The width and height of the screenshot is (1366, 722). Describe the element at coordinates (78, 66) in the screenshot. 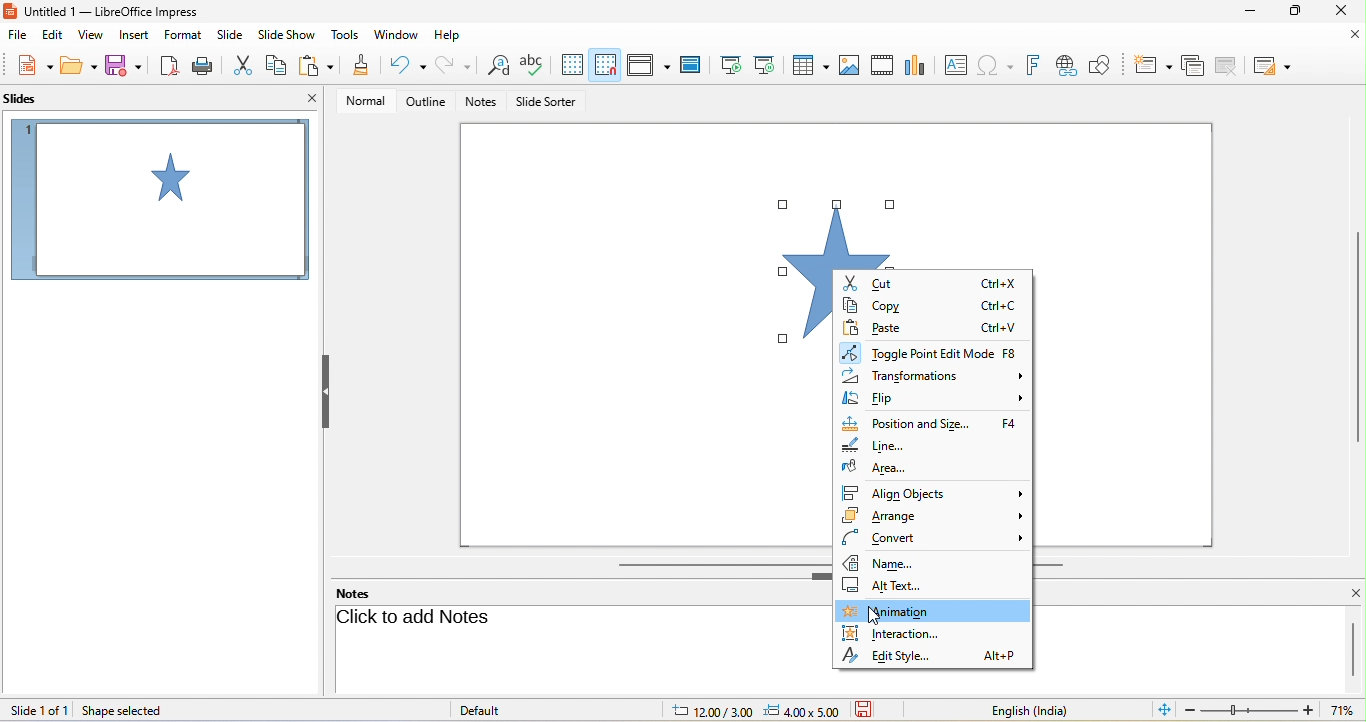

I see `open` at that location.